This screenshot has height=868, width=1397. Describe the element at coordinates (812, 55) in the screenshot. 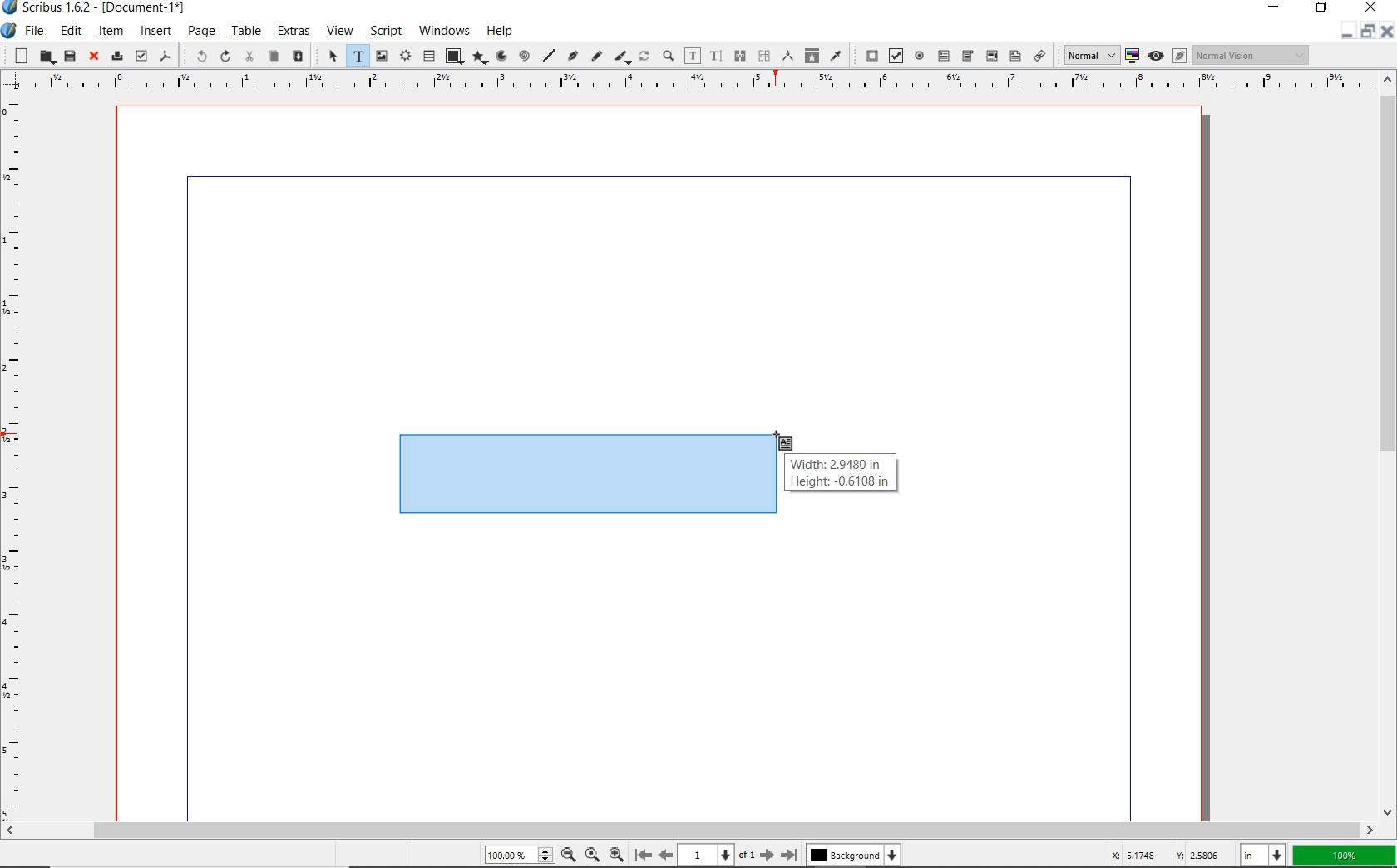

I see `copy item properties` at that location.